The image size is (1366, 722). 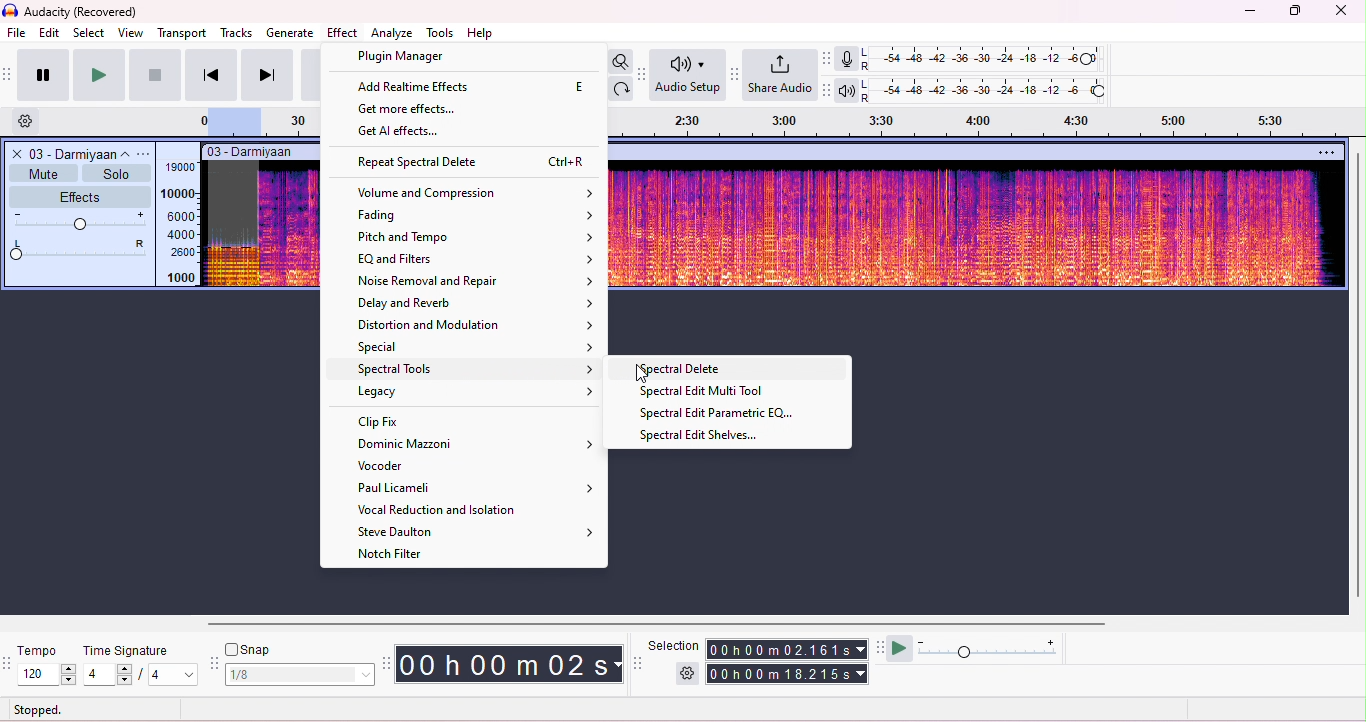 I want to click on audacity time, so click(x=511, y=663).